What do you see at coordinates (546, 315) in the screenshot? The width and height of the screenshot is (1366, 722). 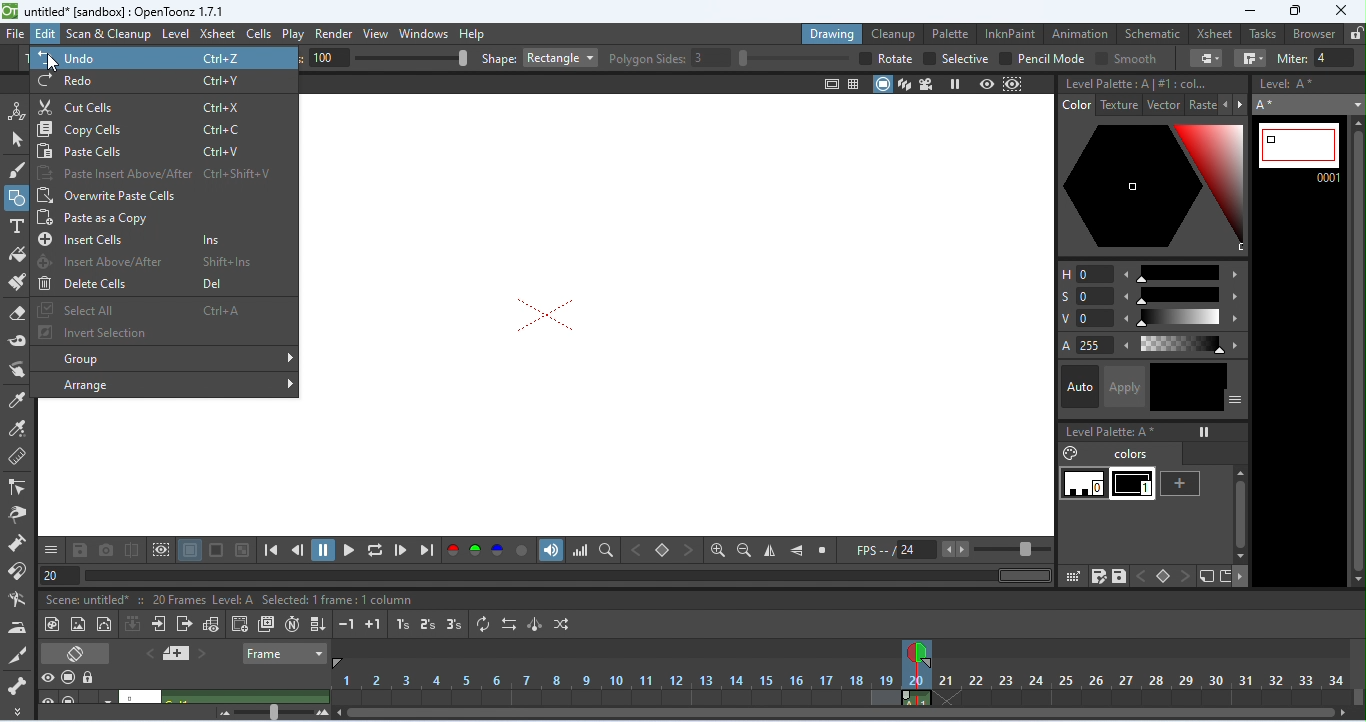 I see `camera box` at bounding box center [546, 315].